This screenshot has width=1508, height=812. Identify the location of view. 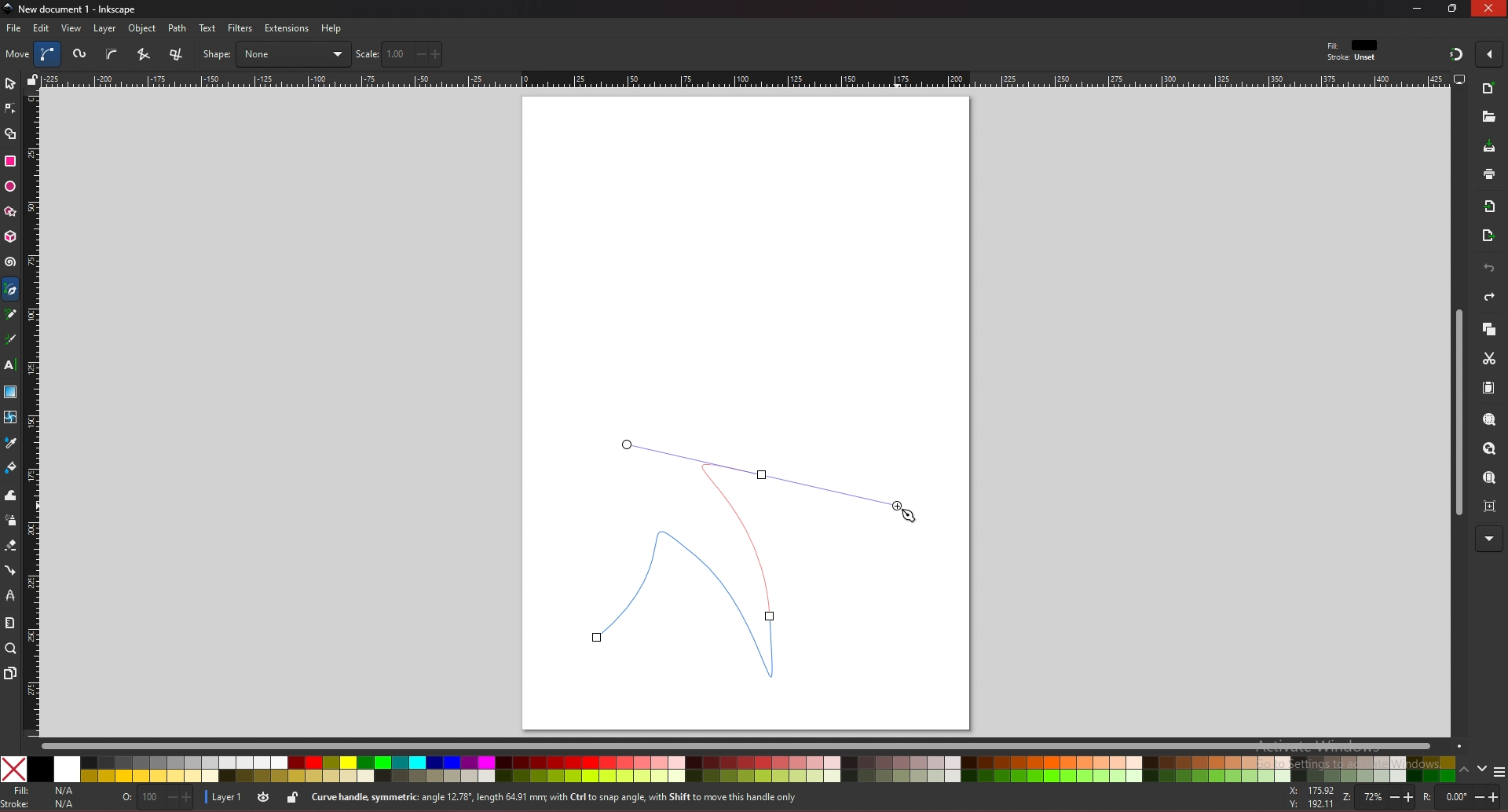
(72, 28).